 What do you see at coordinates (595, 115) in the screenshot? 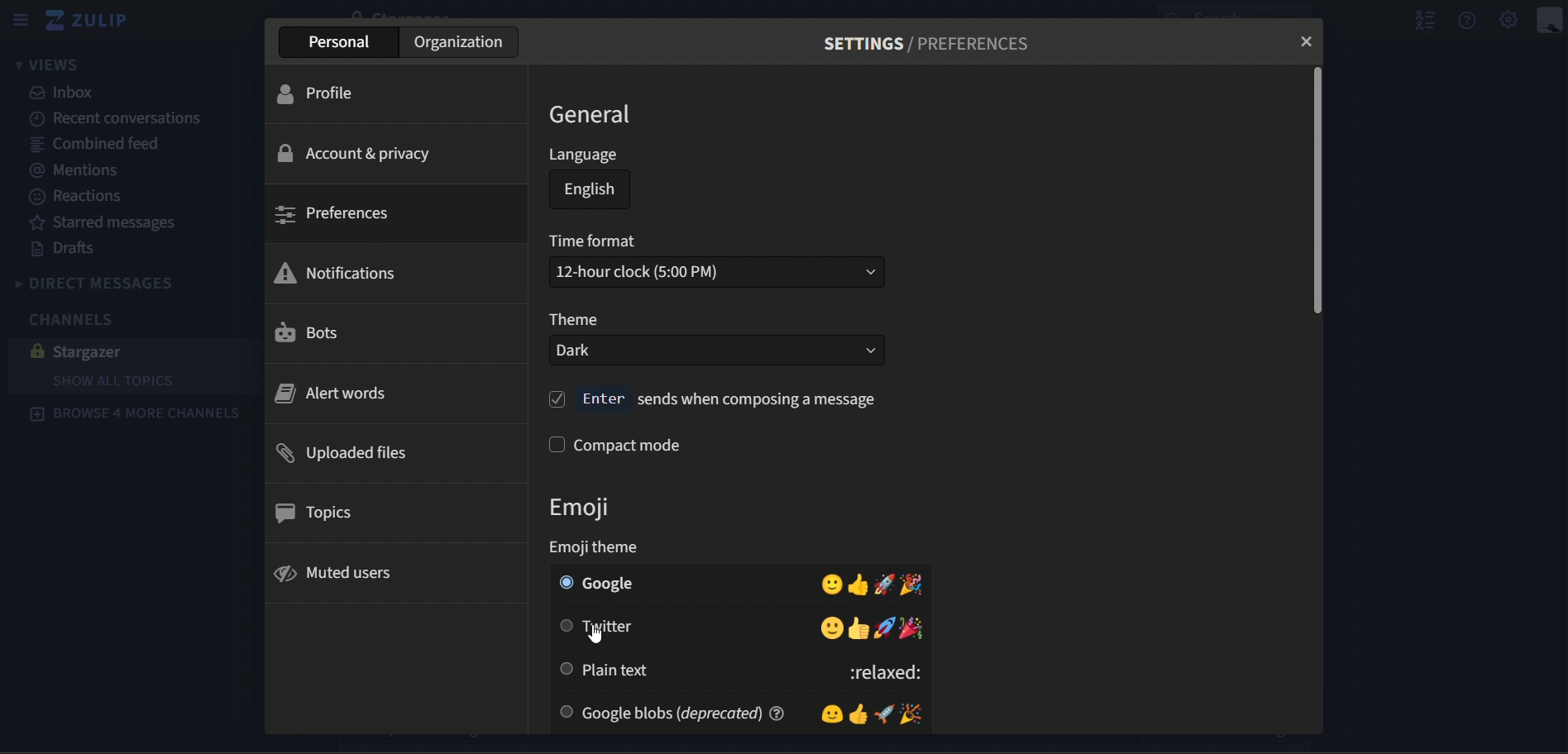
I see `general` at bounding box center [595, 115].